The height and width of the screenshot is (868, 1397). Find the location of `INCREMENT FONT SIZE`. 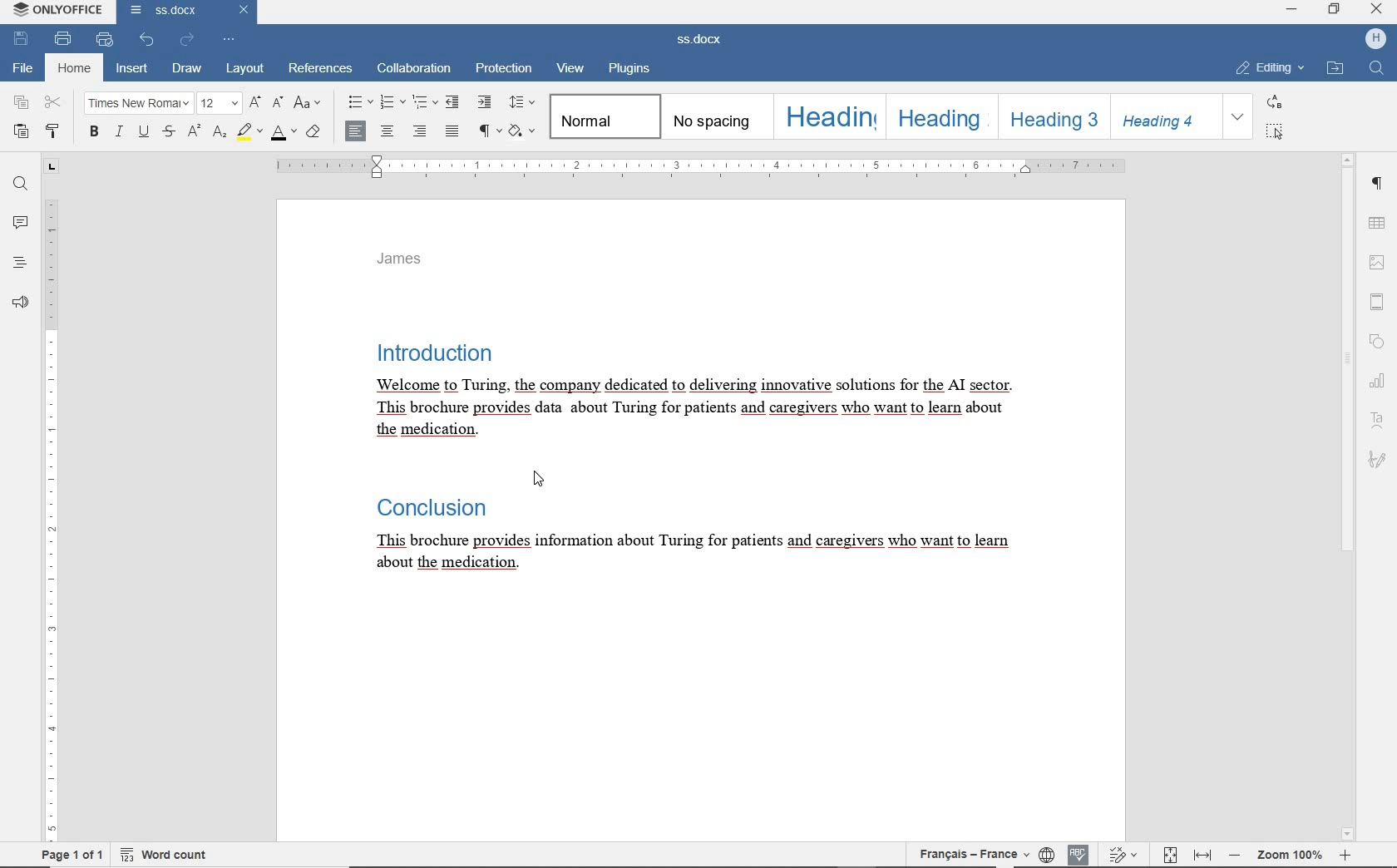

INCREMENT FONT SIZE is located at coordinates (254, 105).